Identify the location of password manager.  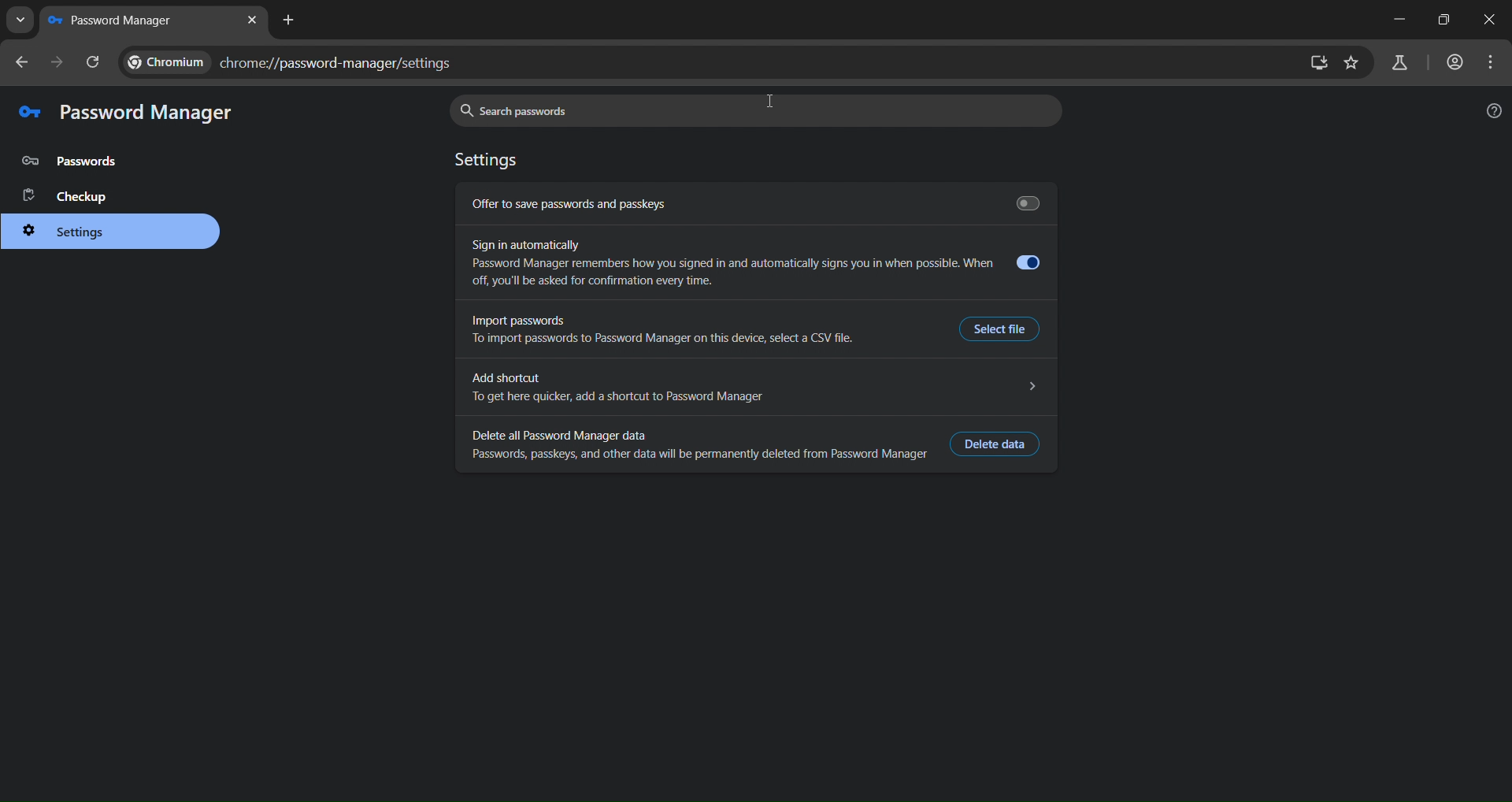
(124, 112).